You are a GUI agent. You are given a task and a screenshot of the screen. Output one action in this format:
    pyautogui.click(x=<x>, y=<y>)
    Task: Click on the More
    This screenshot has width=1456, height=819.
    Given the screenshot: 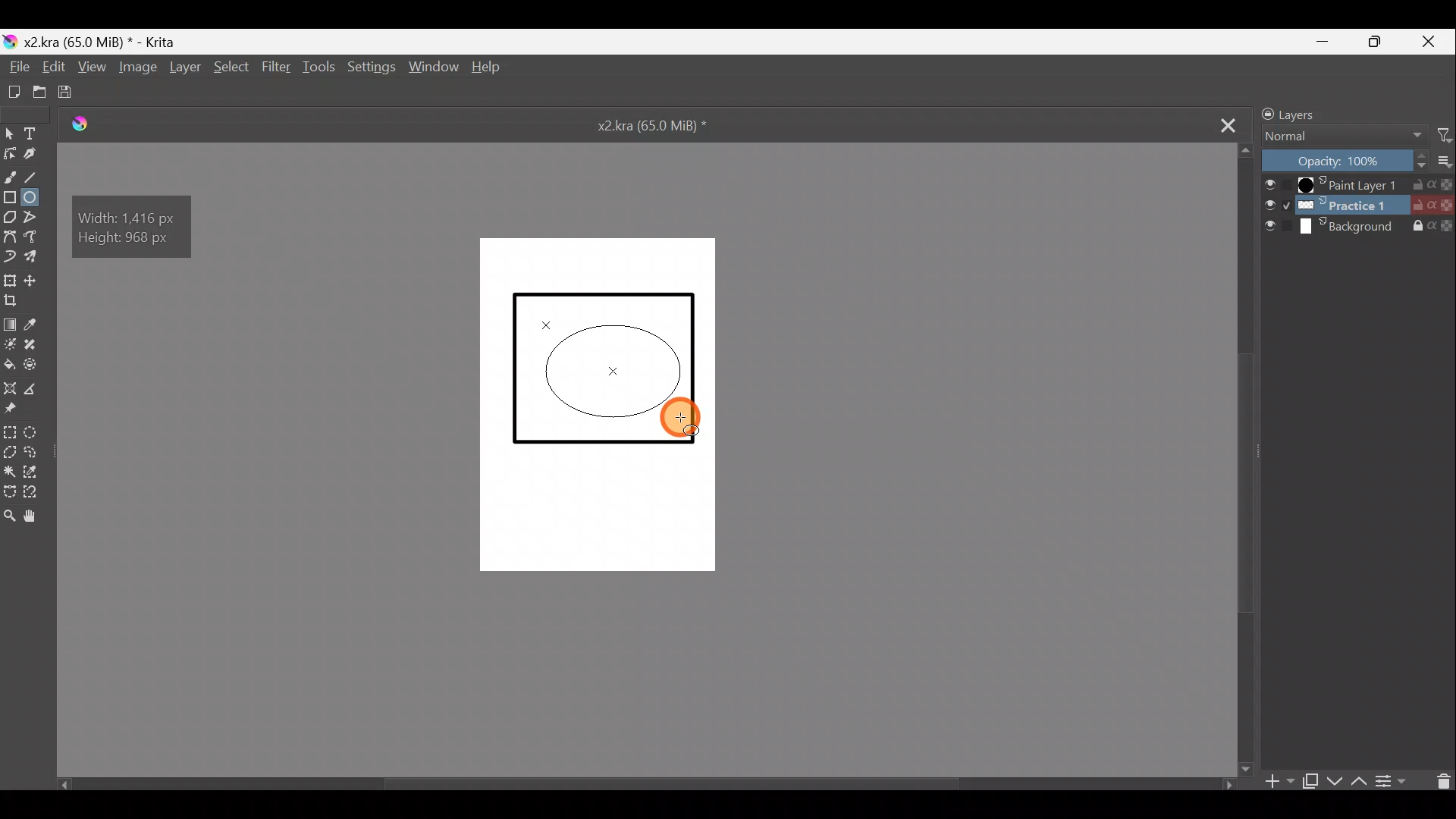 What is the action you would take?
    pyautogui.click(x=1441, y=162)
    